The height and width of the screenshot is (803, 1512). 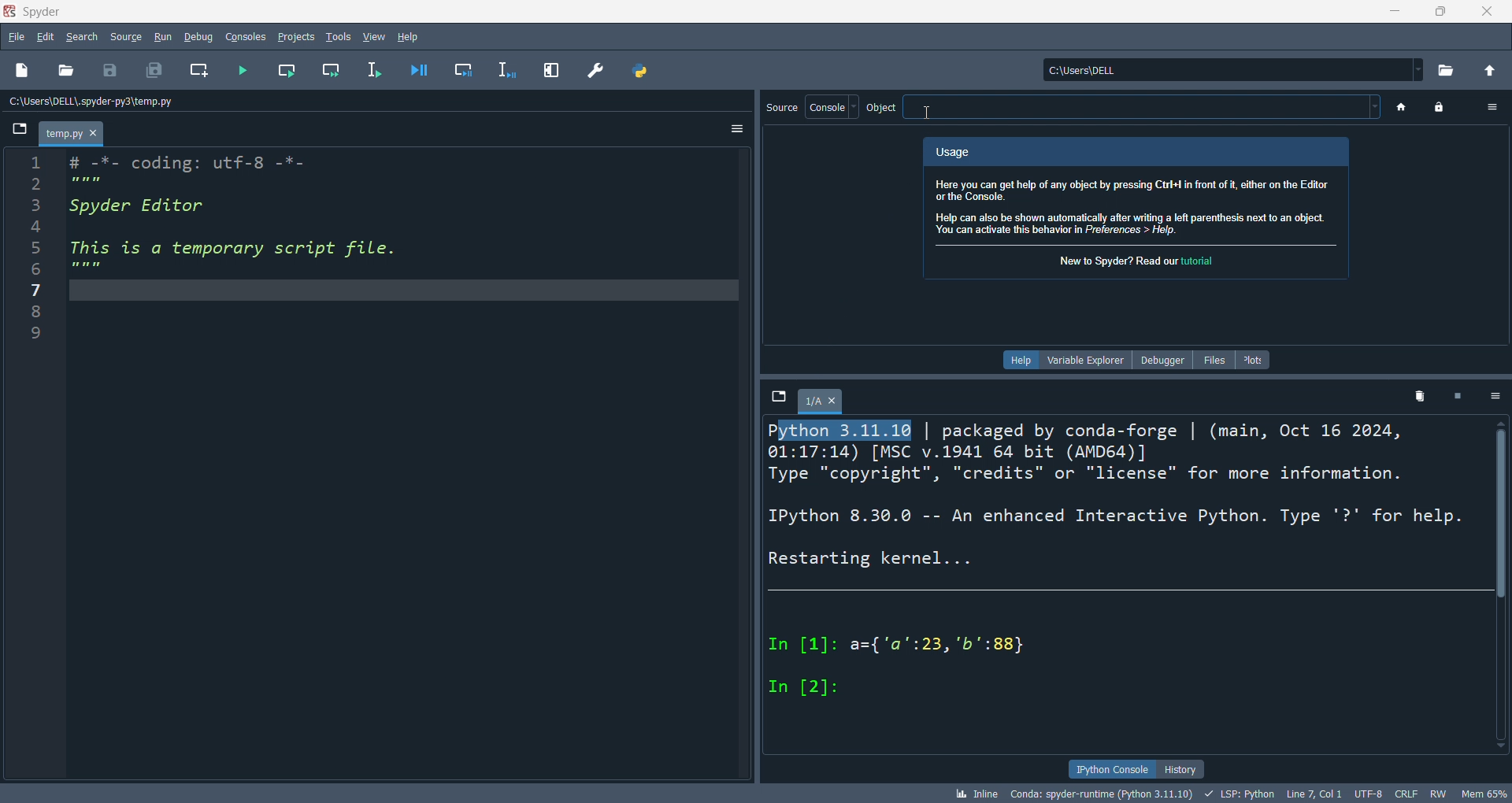 I want to click on browse tabs, so click(x=778, y=400).